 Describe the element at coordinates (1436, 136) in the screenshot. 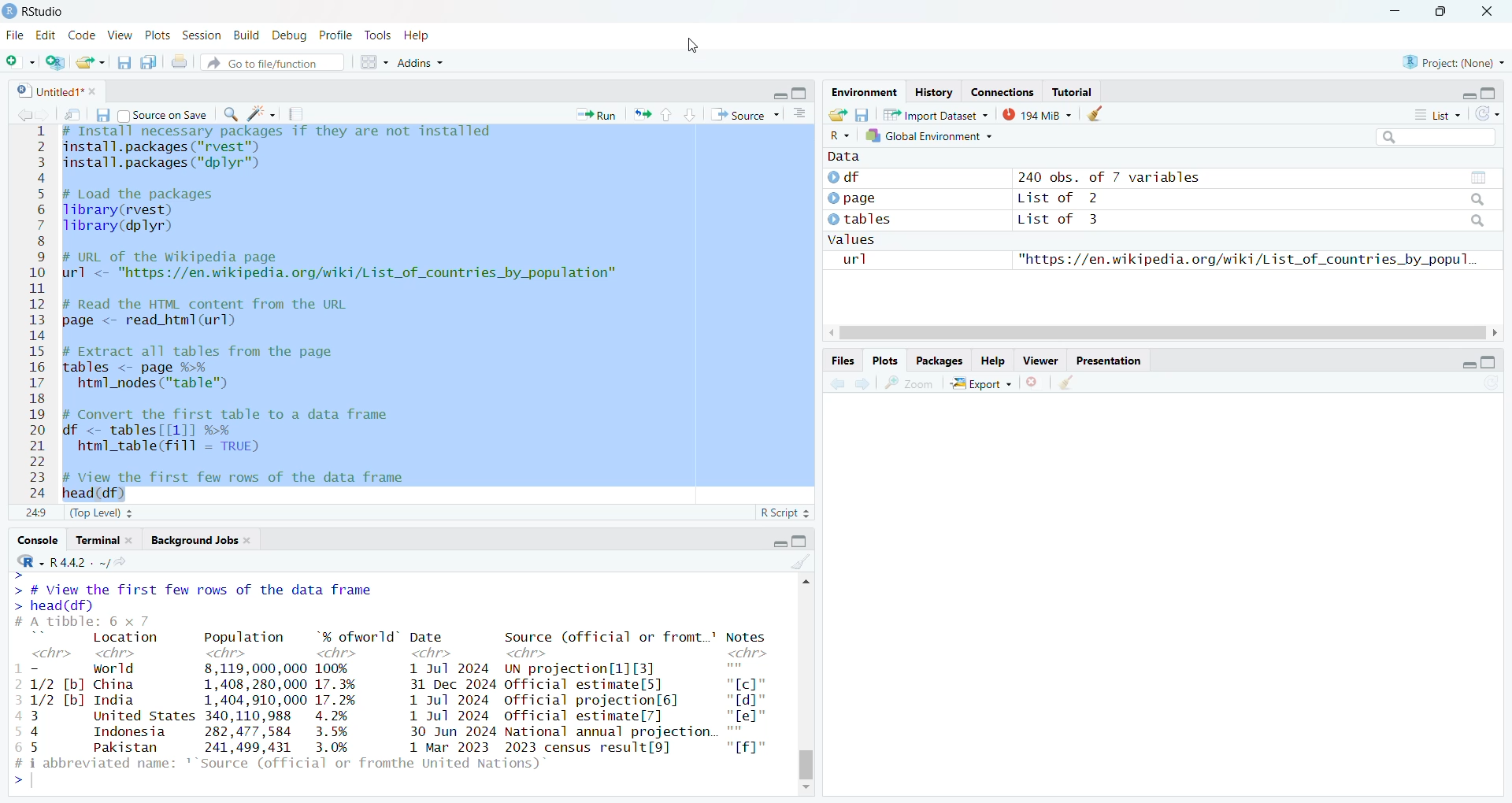

I see `search bar` at that location.